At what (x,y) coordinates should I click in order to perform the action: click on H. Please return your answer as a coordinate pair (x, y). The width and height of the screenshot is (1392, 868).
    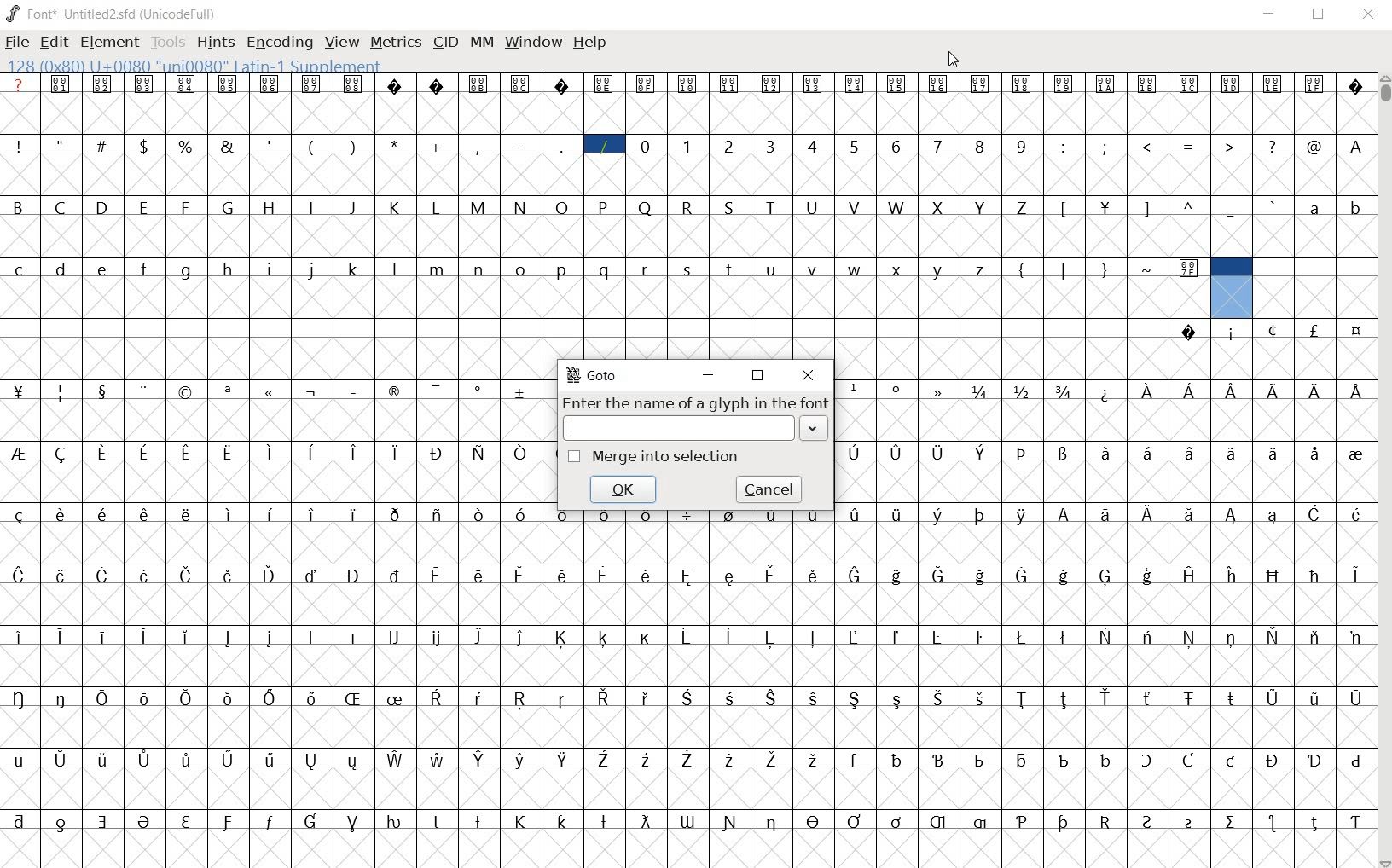
    Looking at the image, I should click on (273, 206).